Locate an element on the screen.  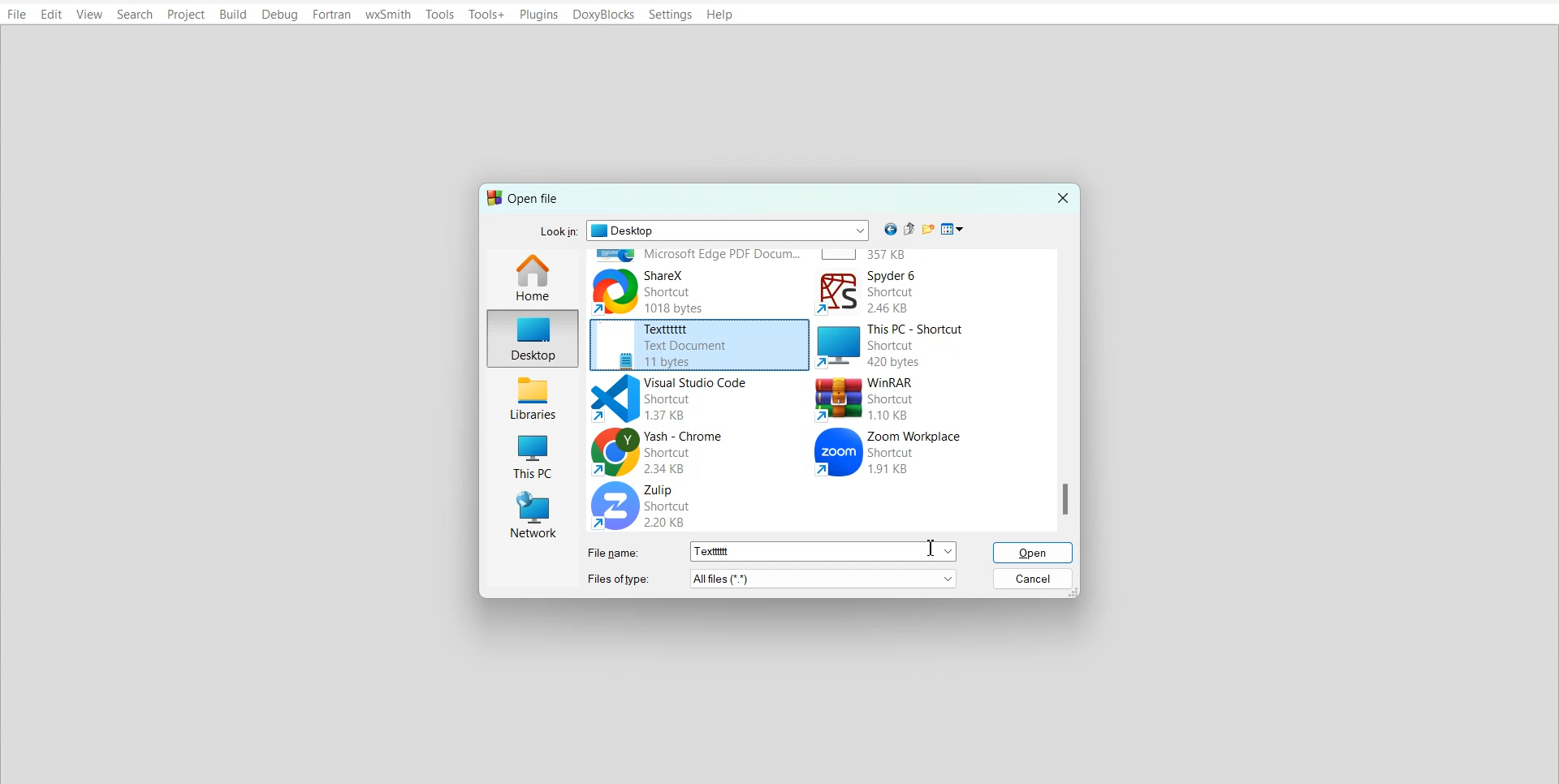
more options is located at coordinates (822, 550).